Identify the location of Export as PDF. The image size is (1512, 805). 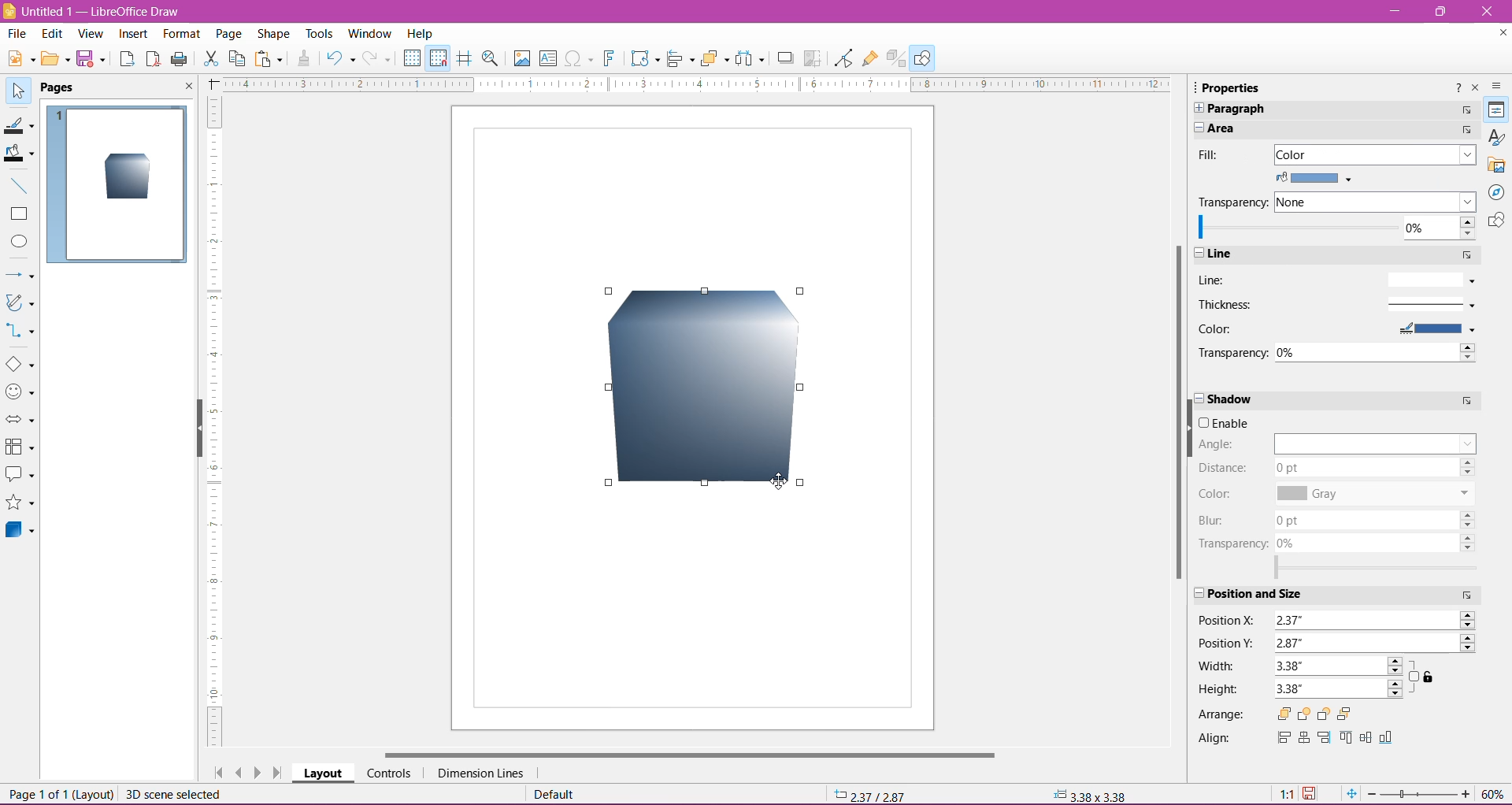
(153, 61).